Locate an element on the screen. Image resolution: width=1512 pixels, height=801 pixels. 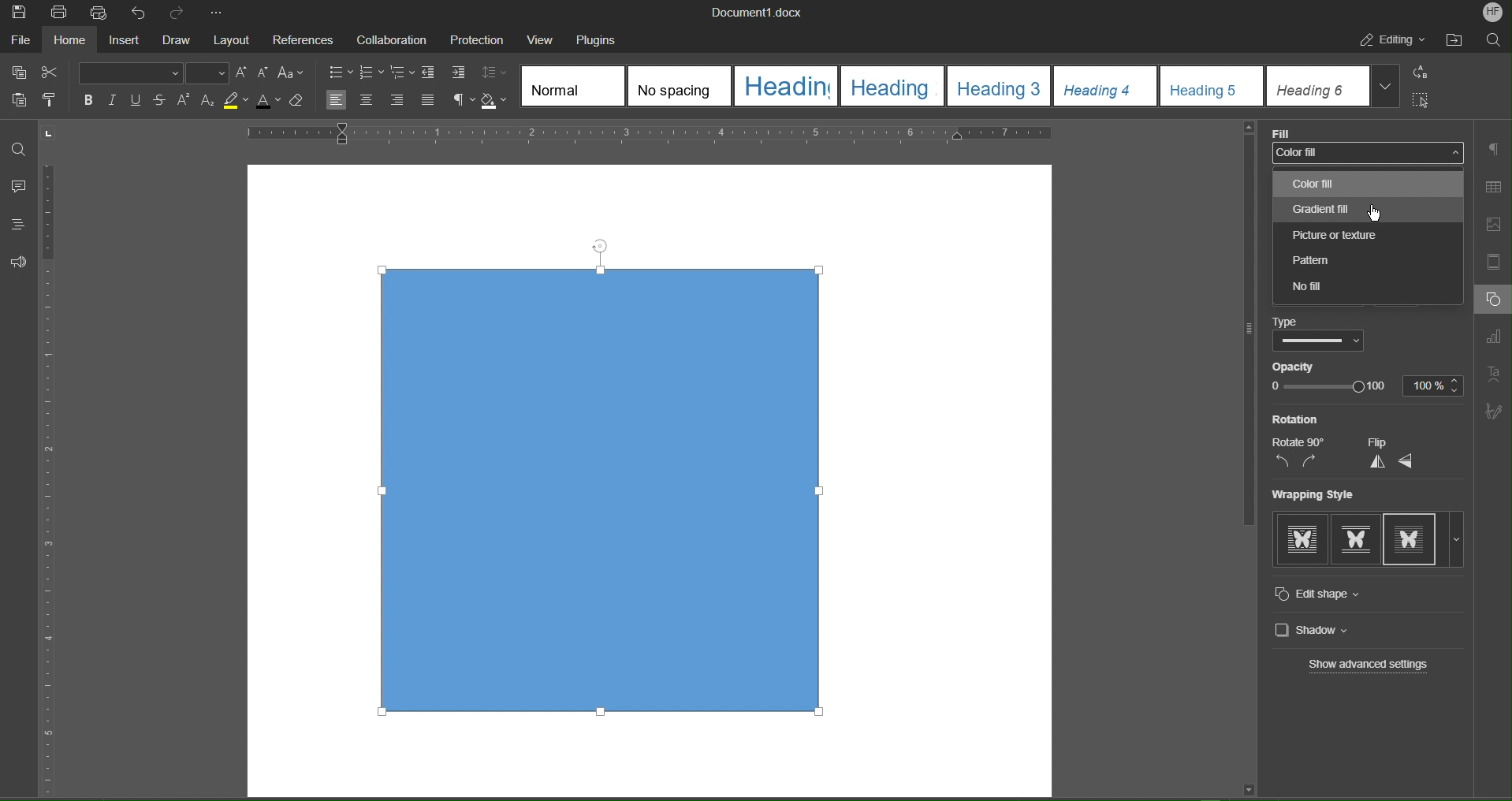
Insert is located at coordinates (123, 39).